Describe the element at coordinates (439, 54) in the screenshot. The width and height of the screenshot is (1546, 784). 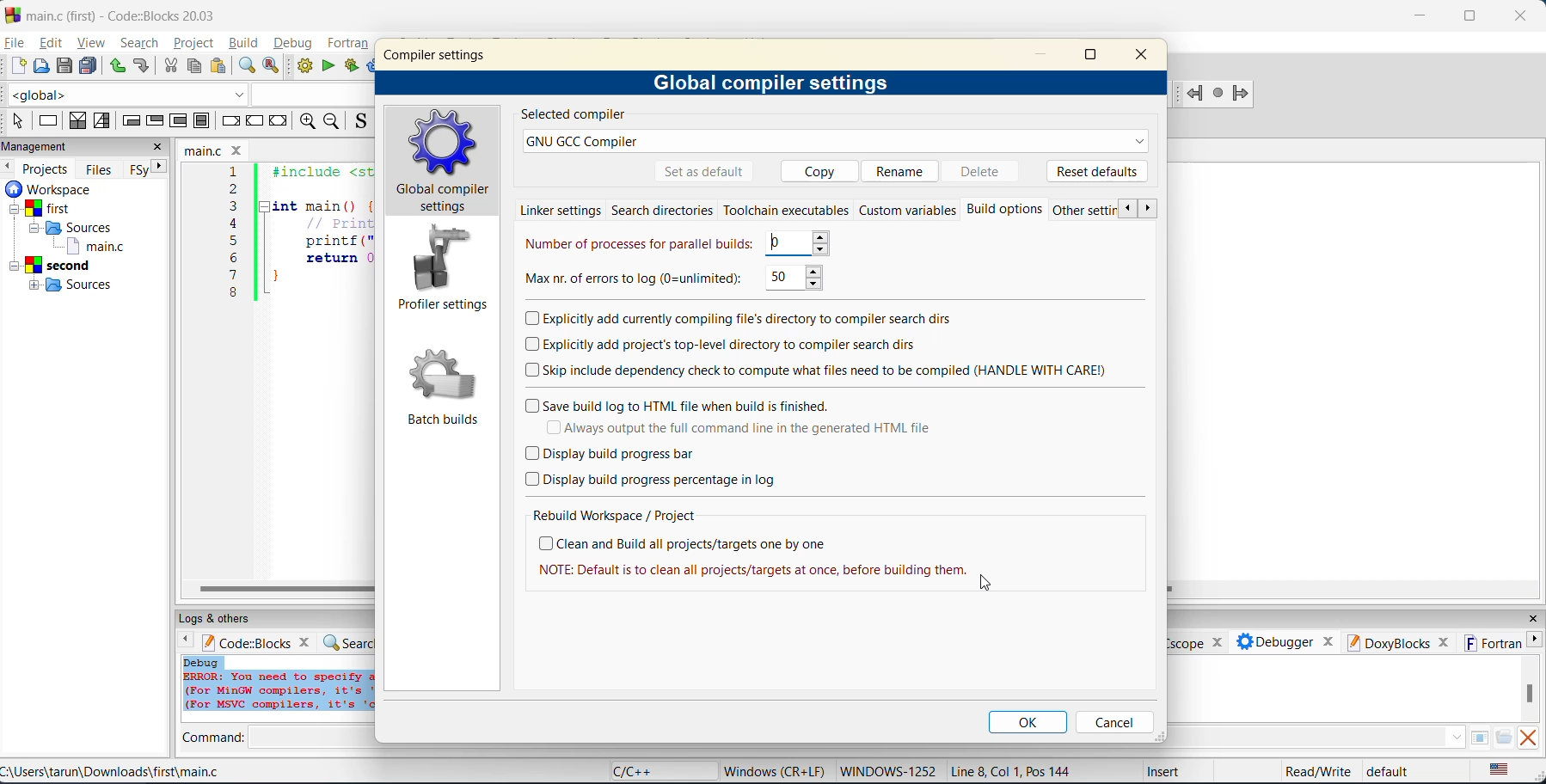
I see `compiler settings` at that location.